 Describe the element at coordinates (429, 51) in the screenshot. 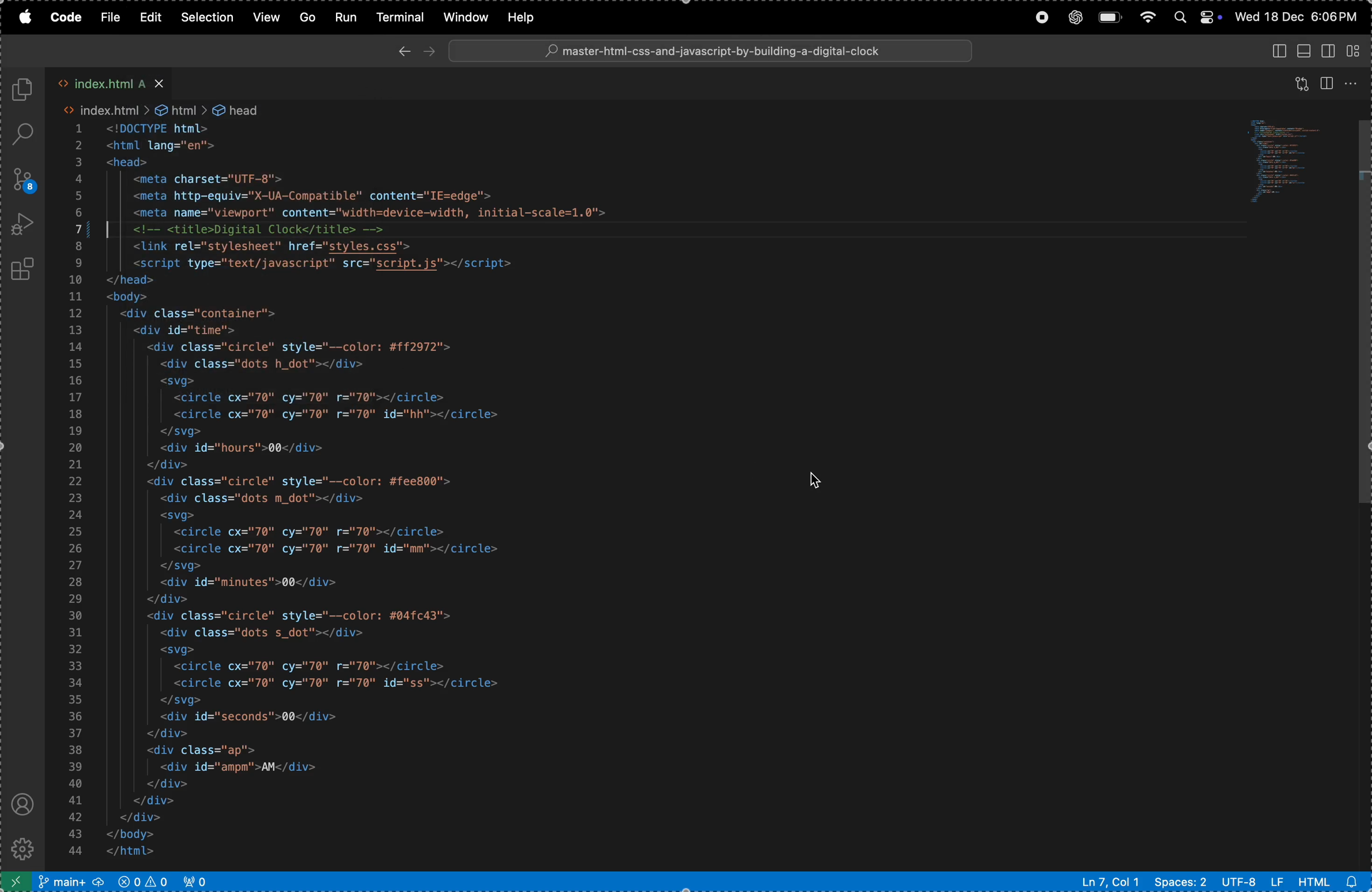

I see `forward` at that location.